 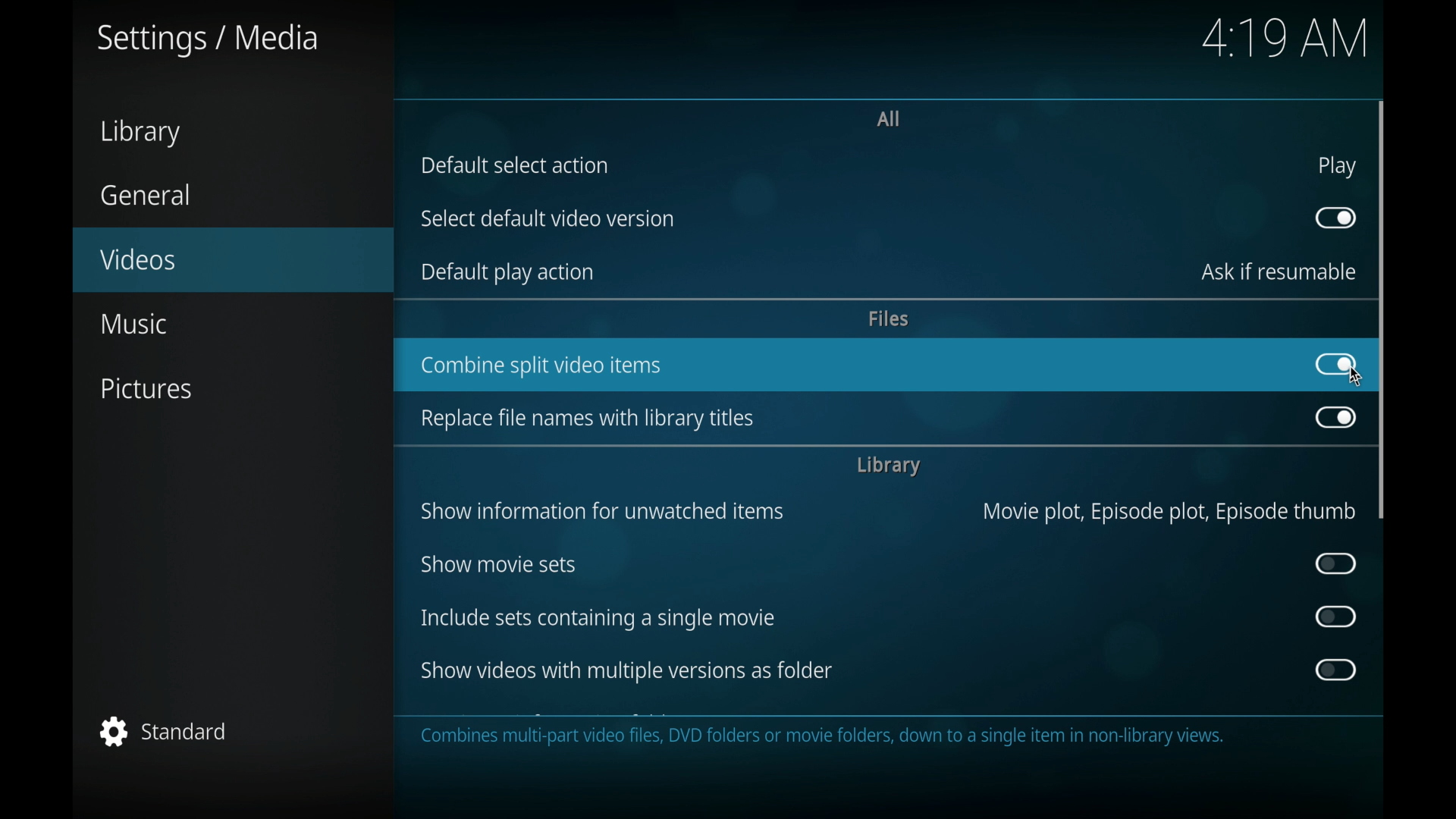 I want to click on replace file names, so click(x=588, y=419).